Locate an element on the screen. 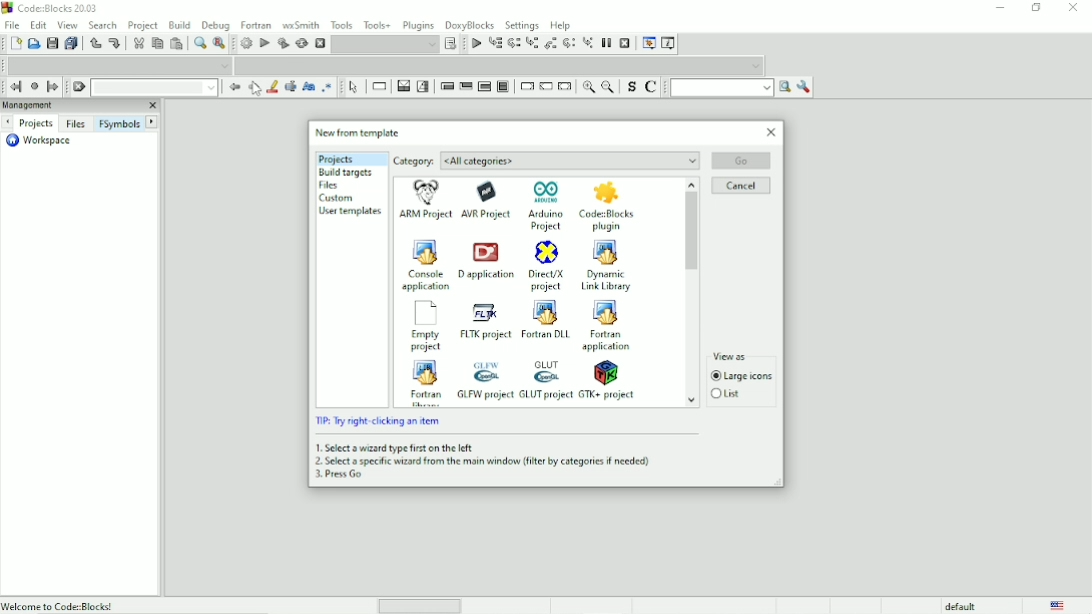 The height and width of the screenshot is (614, 1092). View is located at coordinates (68, 24).